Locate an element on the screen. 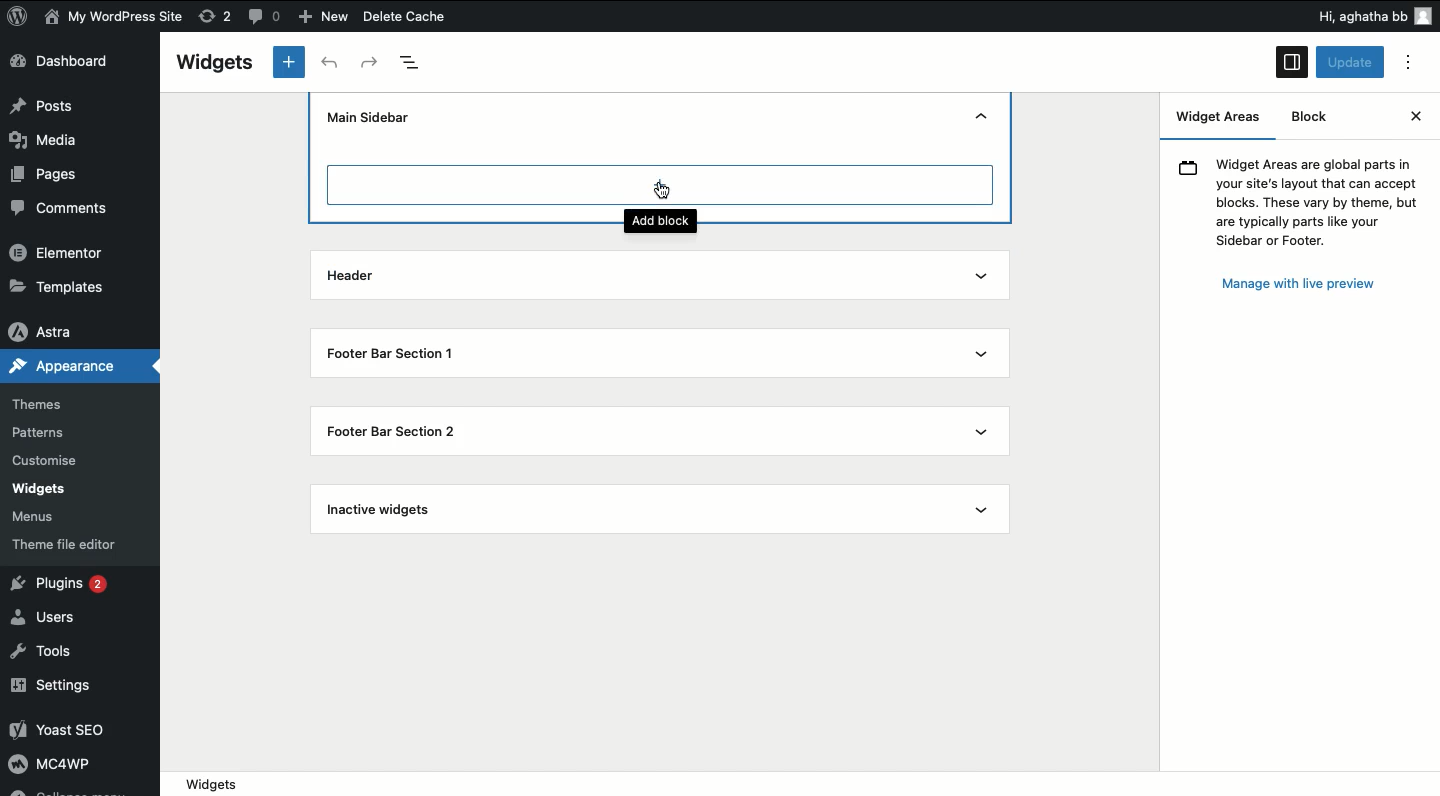  Show is located at coordinates (985, 391).